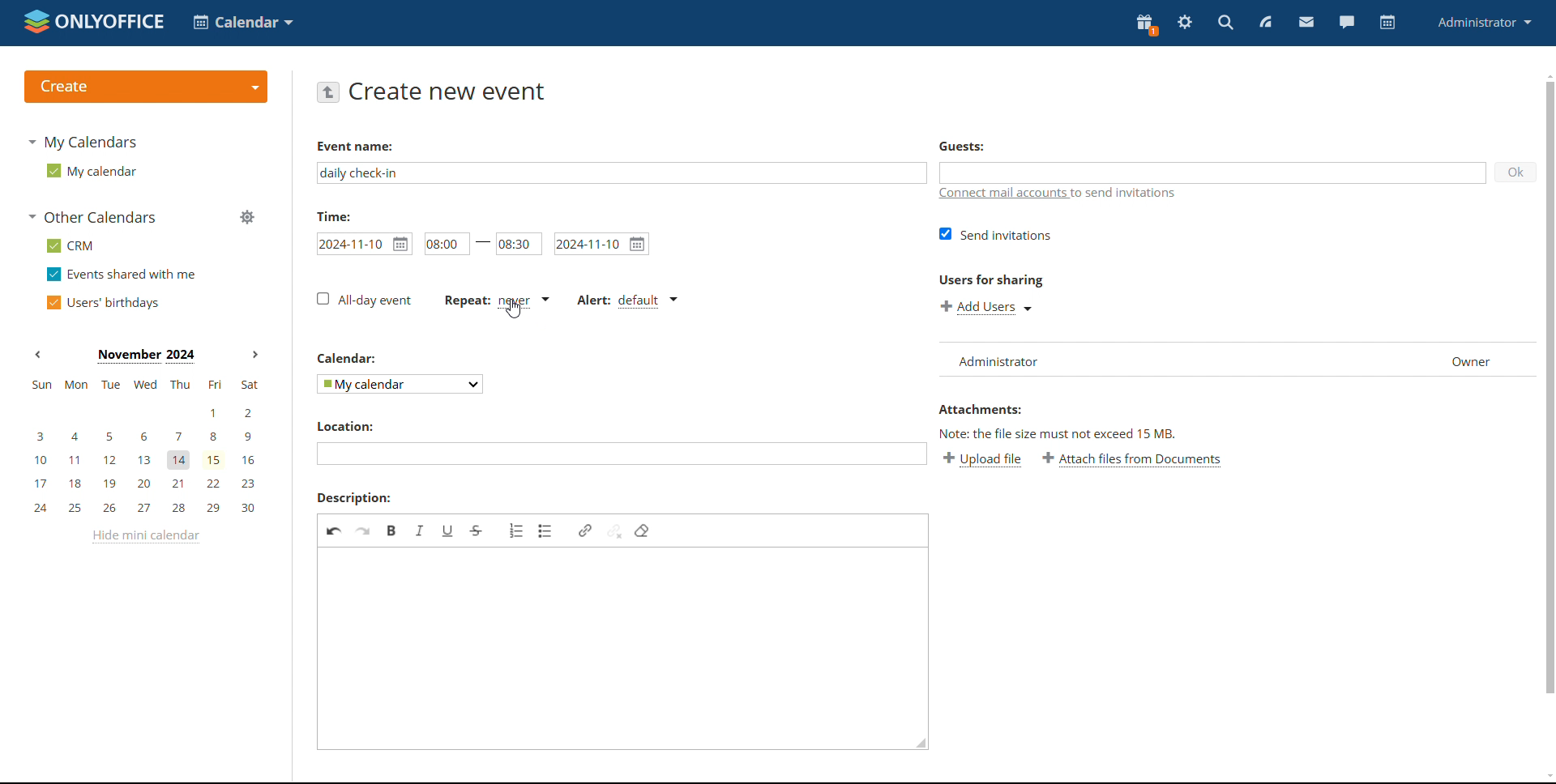 This screenshot has height=784, width=1556. Describe the element at coordinates (496, 300) in the screenshot. I see `event repetition` at that location.